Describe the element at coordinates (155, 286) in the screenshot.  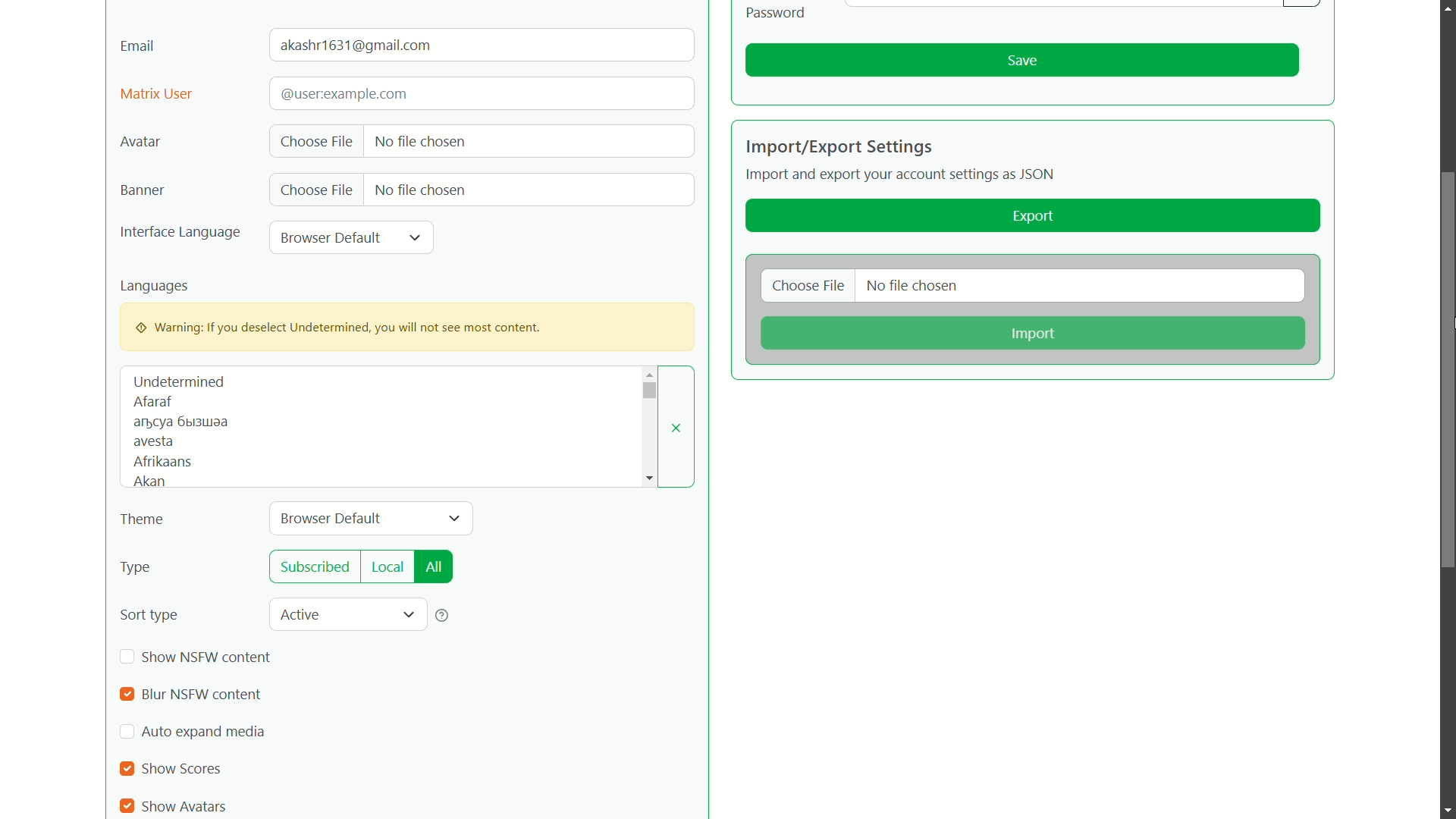
I see `languages` at that location.